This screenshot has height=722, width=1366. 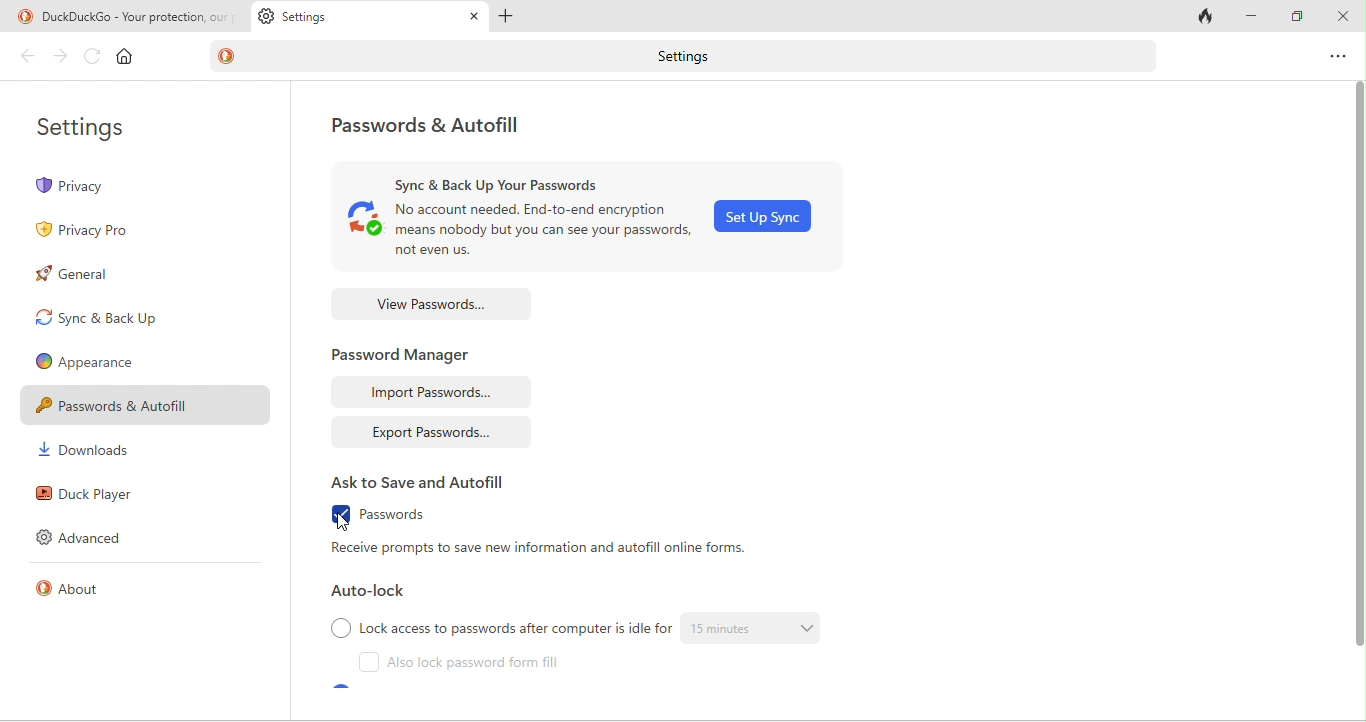 I want to click on set up sync, so click(x=769, y=217).